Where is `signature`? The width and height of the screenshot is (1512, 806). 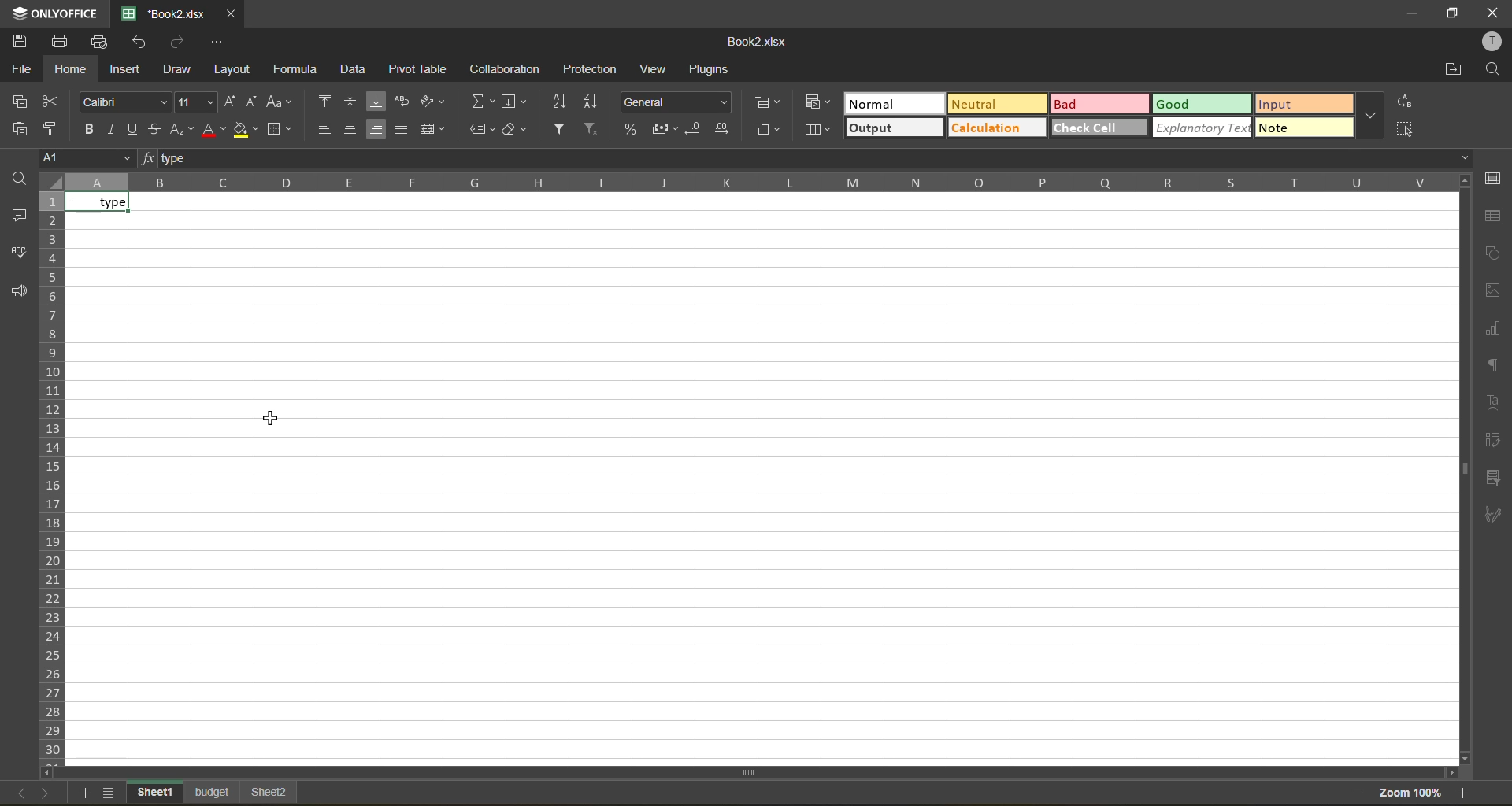 signature is located at coordinates (1494, 516).